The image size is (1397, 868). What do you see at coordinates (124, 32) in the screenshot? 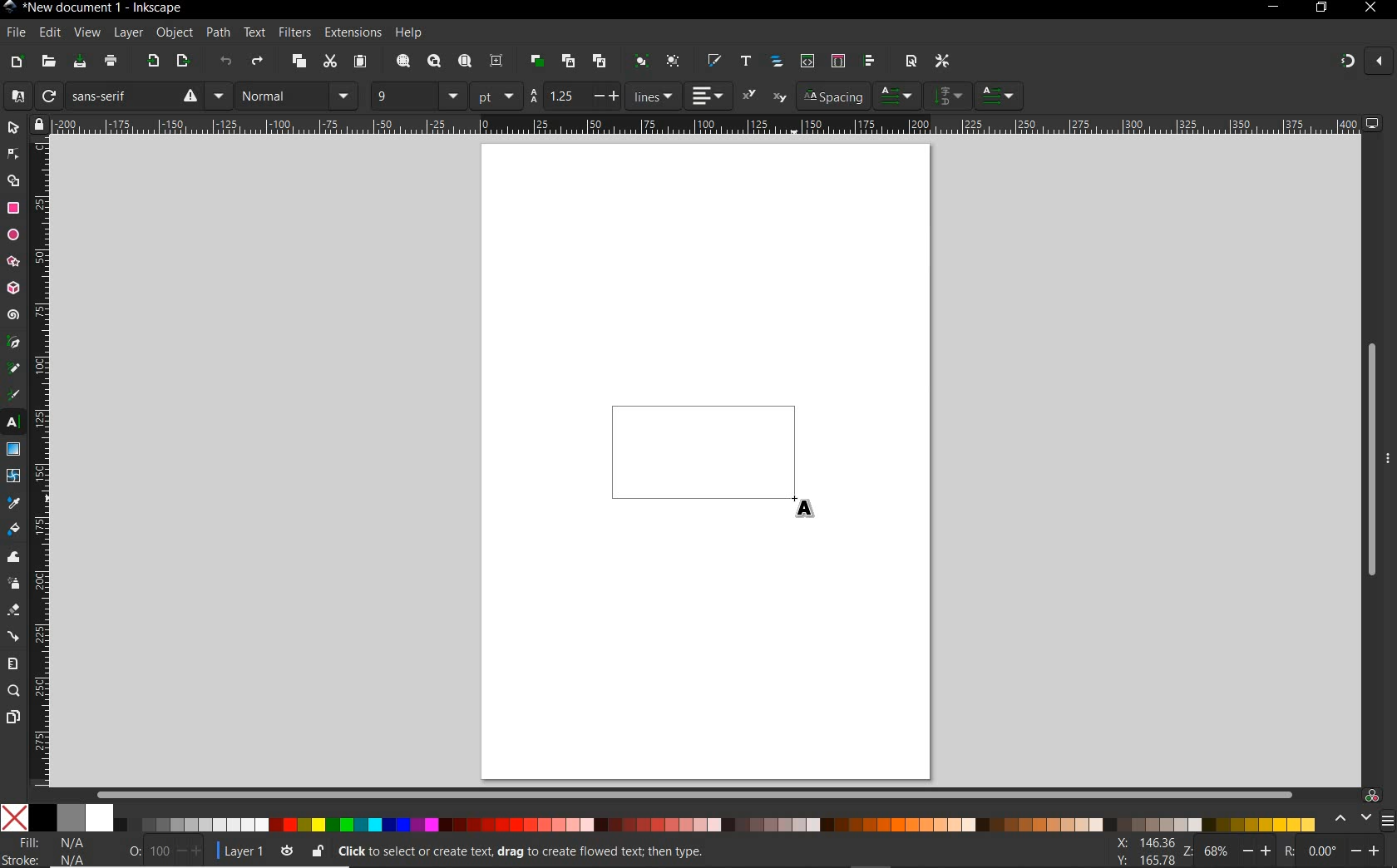
I see `layer` at bounding box center [124, 32].